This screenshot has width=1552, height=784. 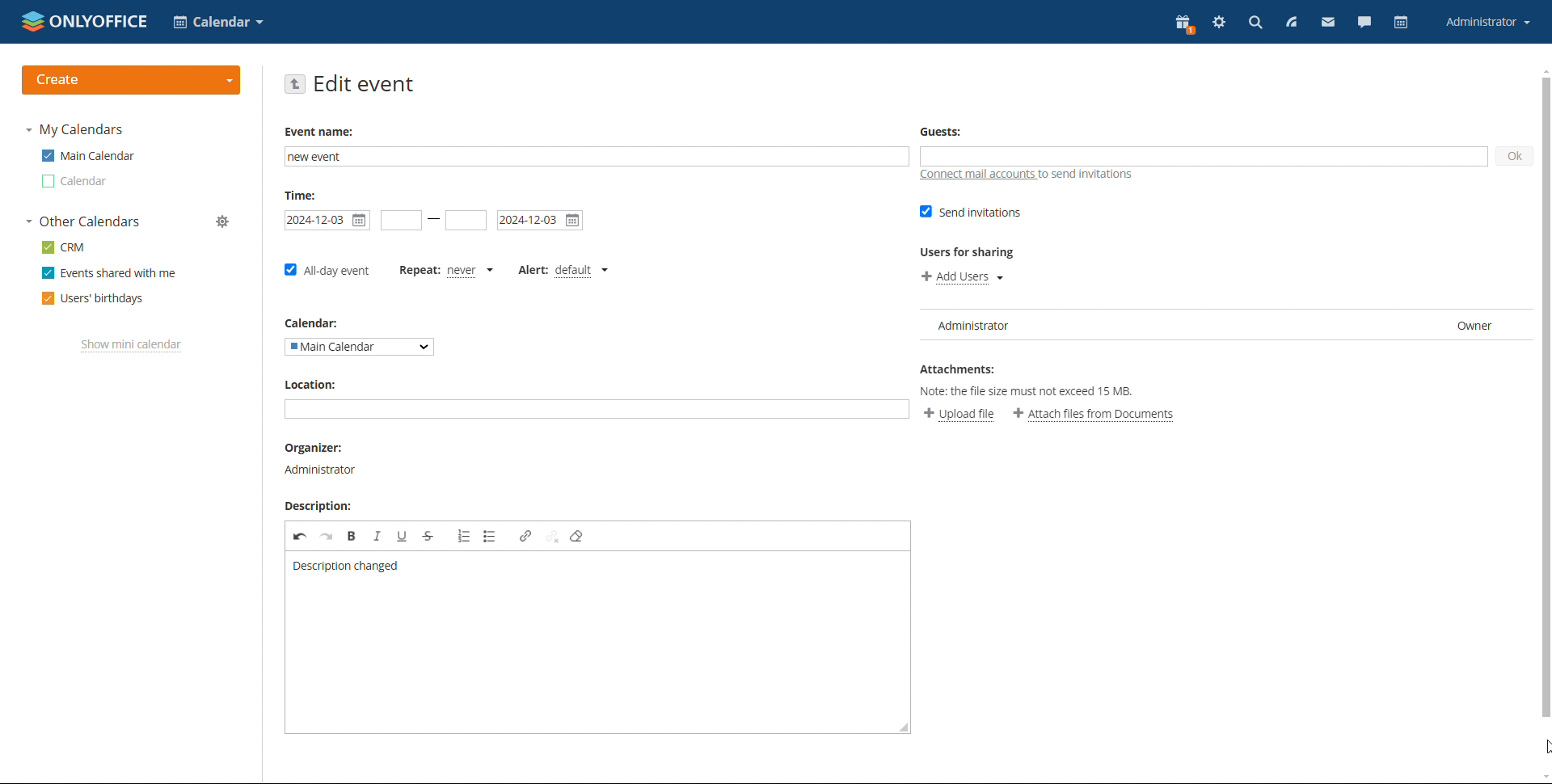 What do you see at coordinates (1489, 23) in the screenshot?
I see `account` at bounding box center [1489, 23].